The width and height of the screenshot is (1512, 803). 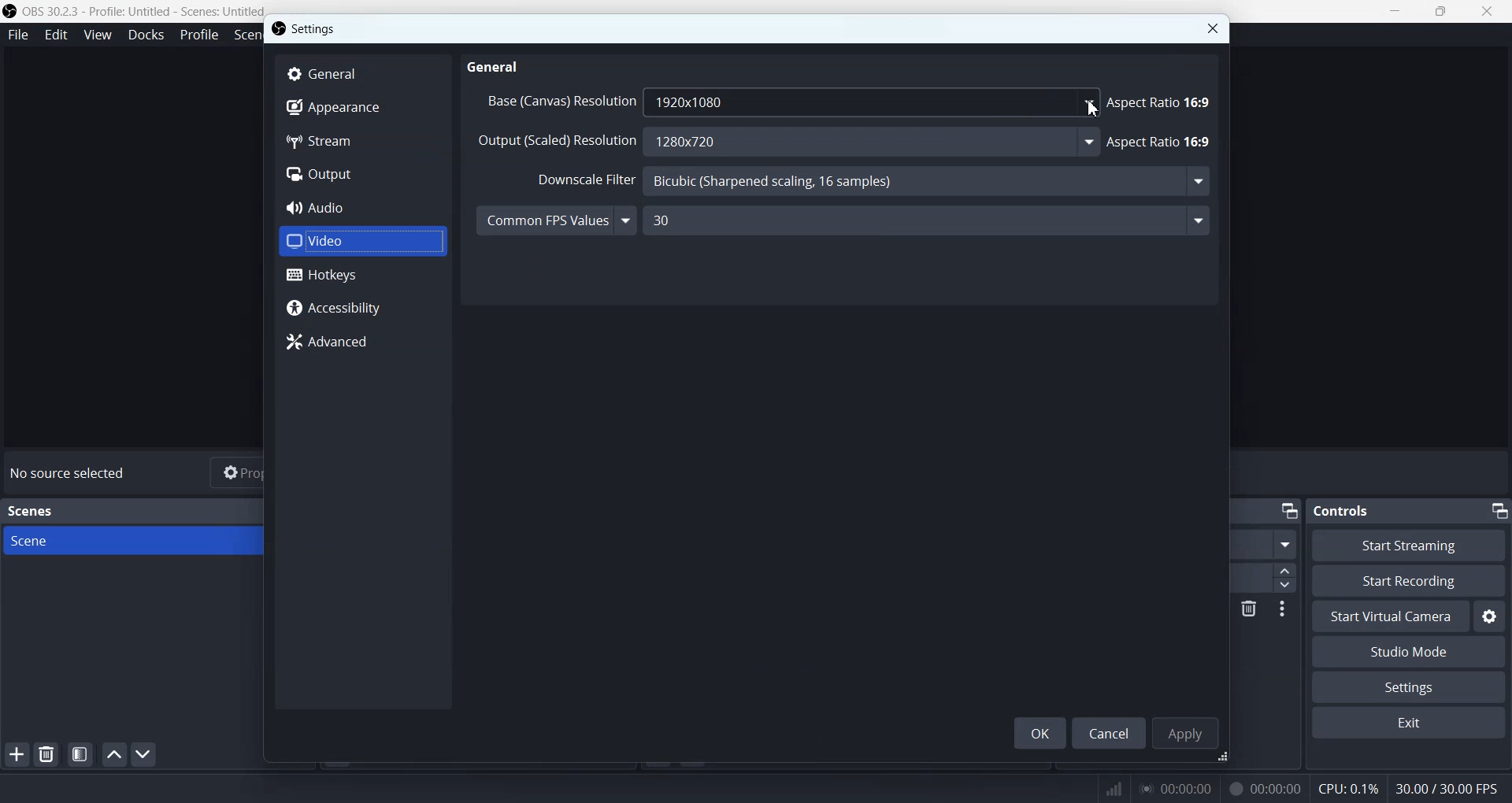 What do you see at coordinates (862, 183) in the screenshot?
I see `Downscale Filter Bicubic (Sharpened scaling, 16 samples)` at bounding box center [862, 183].